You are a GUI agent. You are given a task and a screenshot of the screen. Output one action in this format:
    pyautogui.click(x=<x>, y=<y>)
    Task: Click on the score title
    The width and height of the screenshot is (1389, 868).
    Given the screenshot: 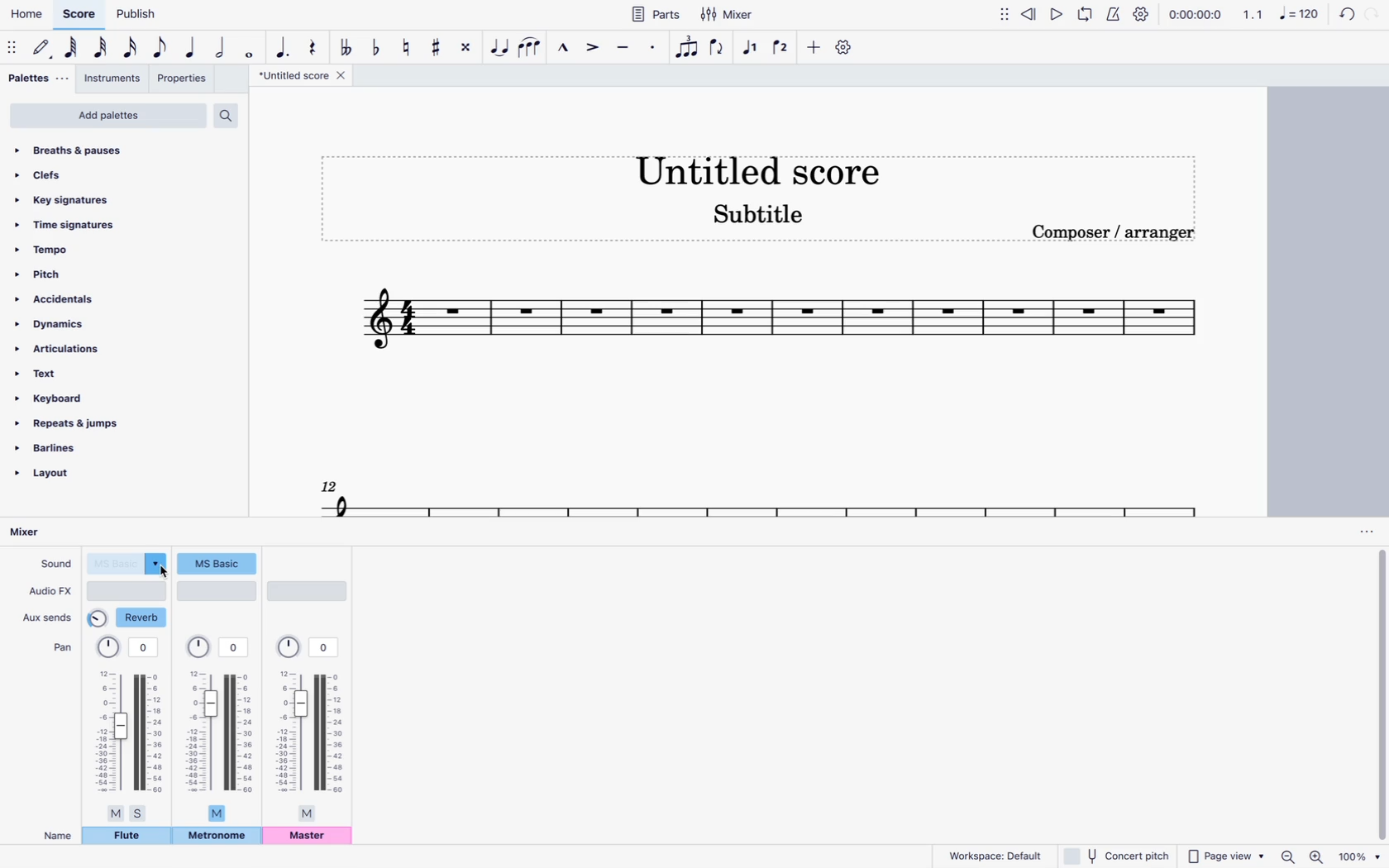 What is the action you would take?
    pyautogui.click(x=756, y=167)
    